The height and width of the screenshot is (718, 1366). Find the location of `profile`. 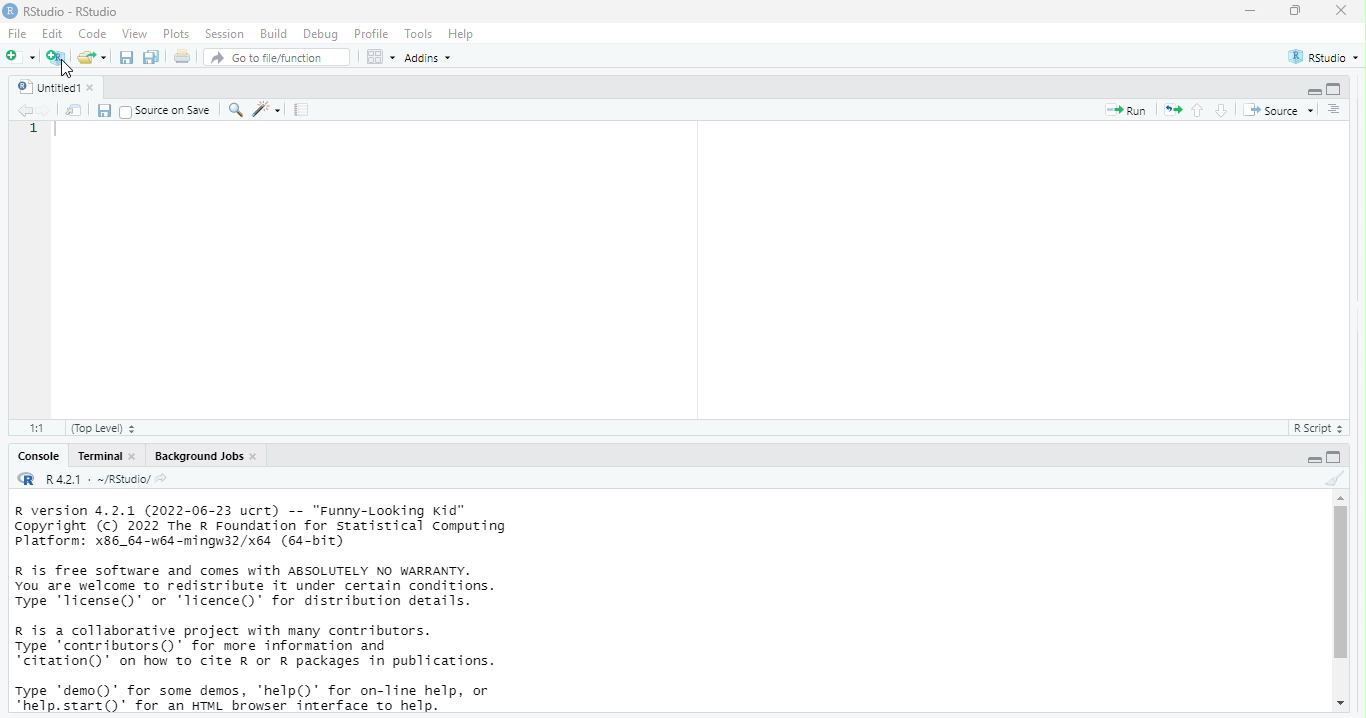

profile is located at coordinates (373, 34).